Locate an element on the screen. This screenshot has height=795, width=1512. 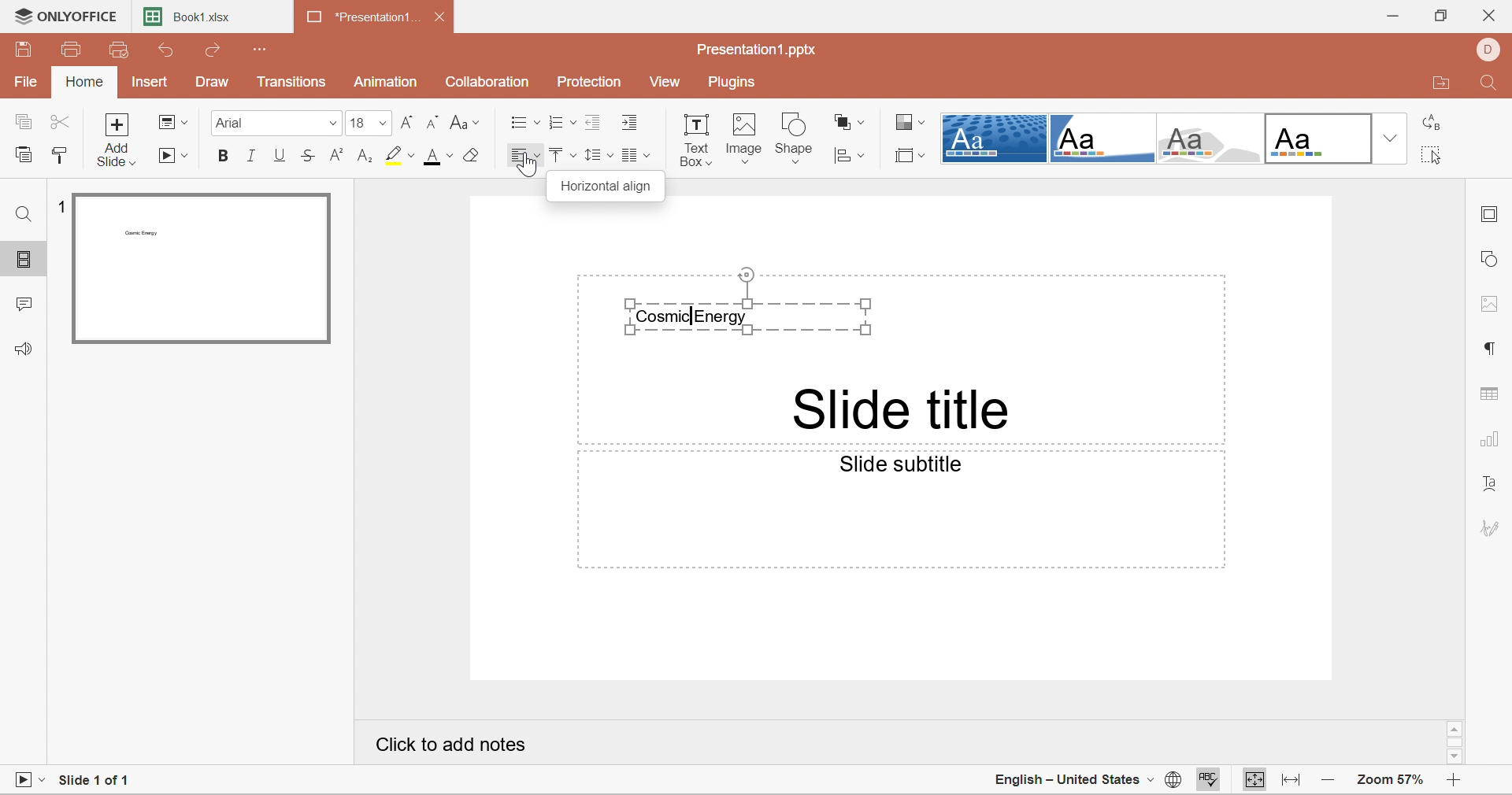
Increment font size is located at coordinates (407, 122).